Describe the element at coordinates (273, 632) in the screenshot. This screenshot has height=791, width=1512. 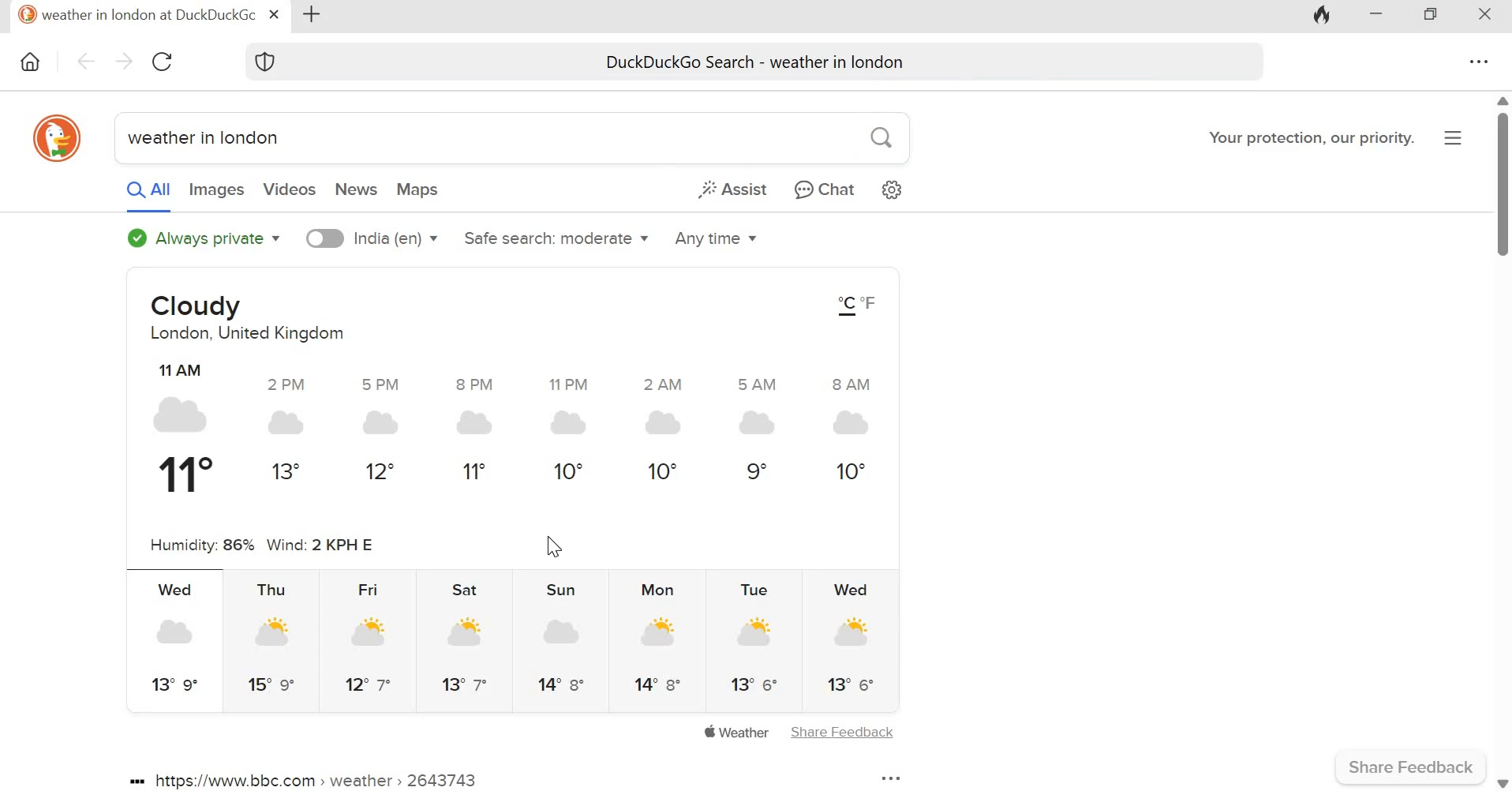
I see `Indicates partly sunny` at that location.